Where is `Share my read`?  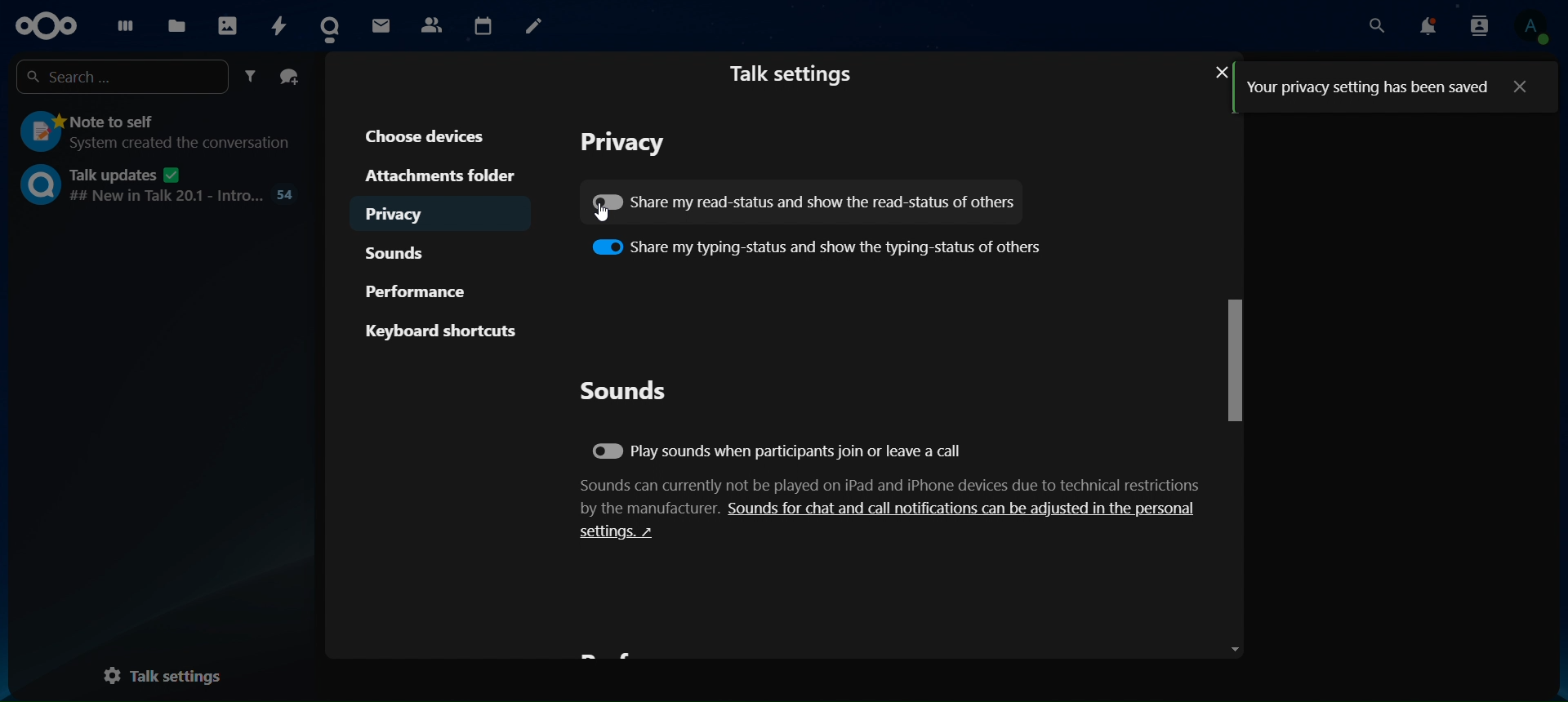 Share my read is located at coordinates (608, 201).